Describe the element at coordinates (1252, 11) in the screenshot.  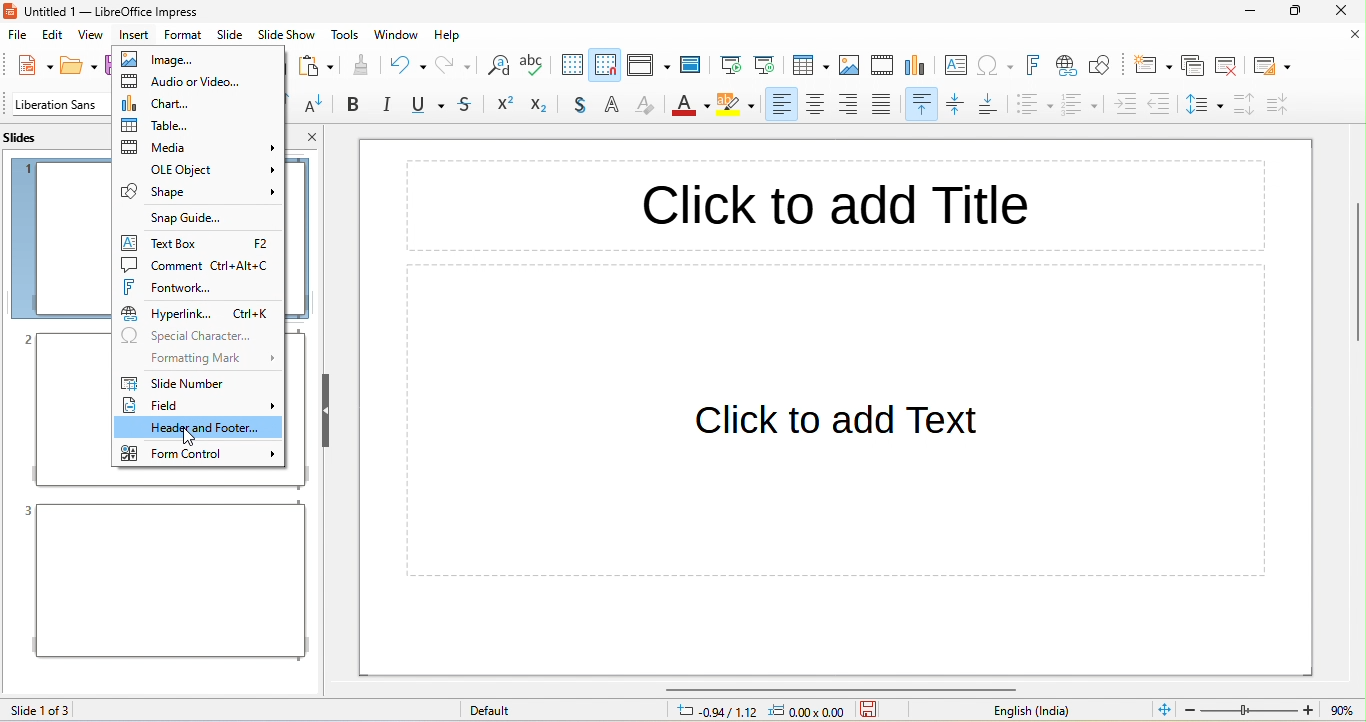
I see `minimizee` at that location.